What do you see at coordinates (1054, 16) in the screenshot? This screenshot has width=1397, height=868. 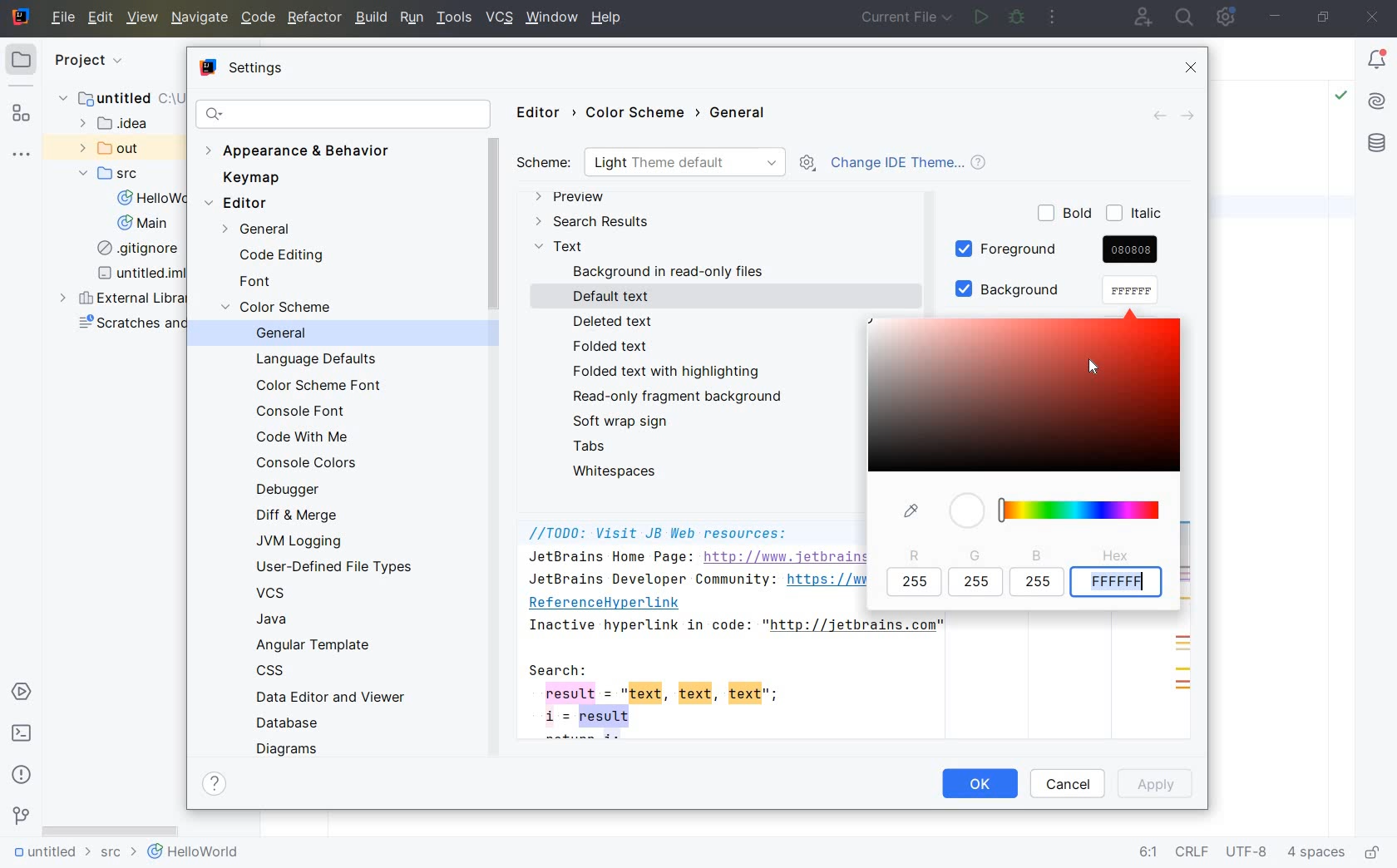 I see `more actions` at bounding box center [1054, 16].